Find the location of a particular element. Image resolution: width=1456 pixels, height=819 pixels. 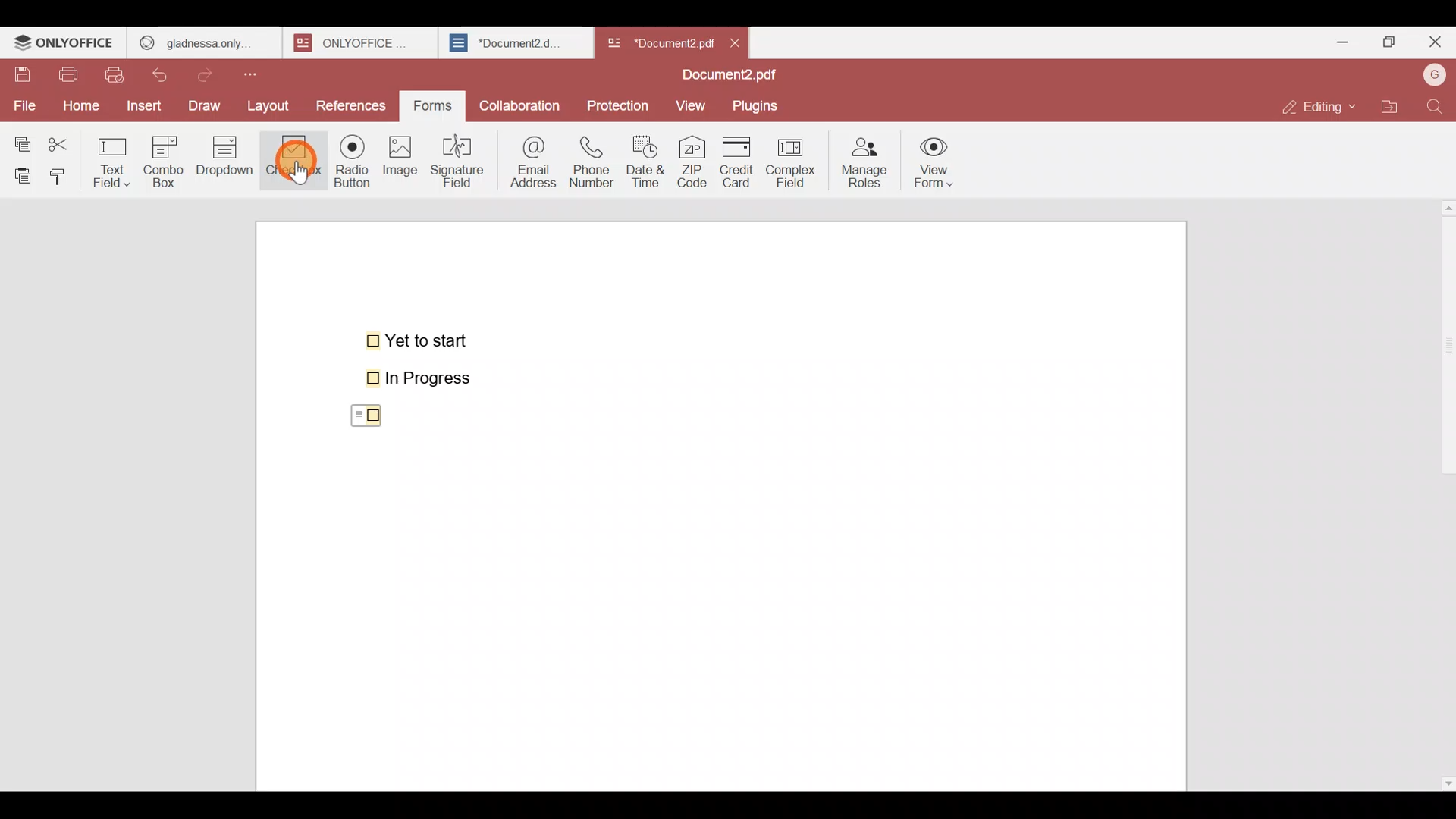

Customize quick access toolbar is located at coordinates (263, 71).